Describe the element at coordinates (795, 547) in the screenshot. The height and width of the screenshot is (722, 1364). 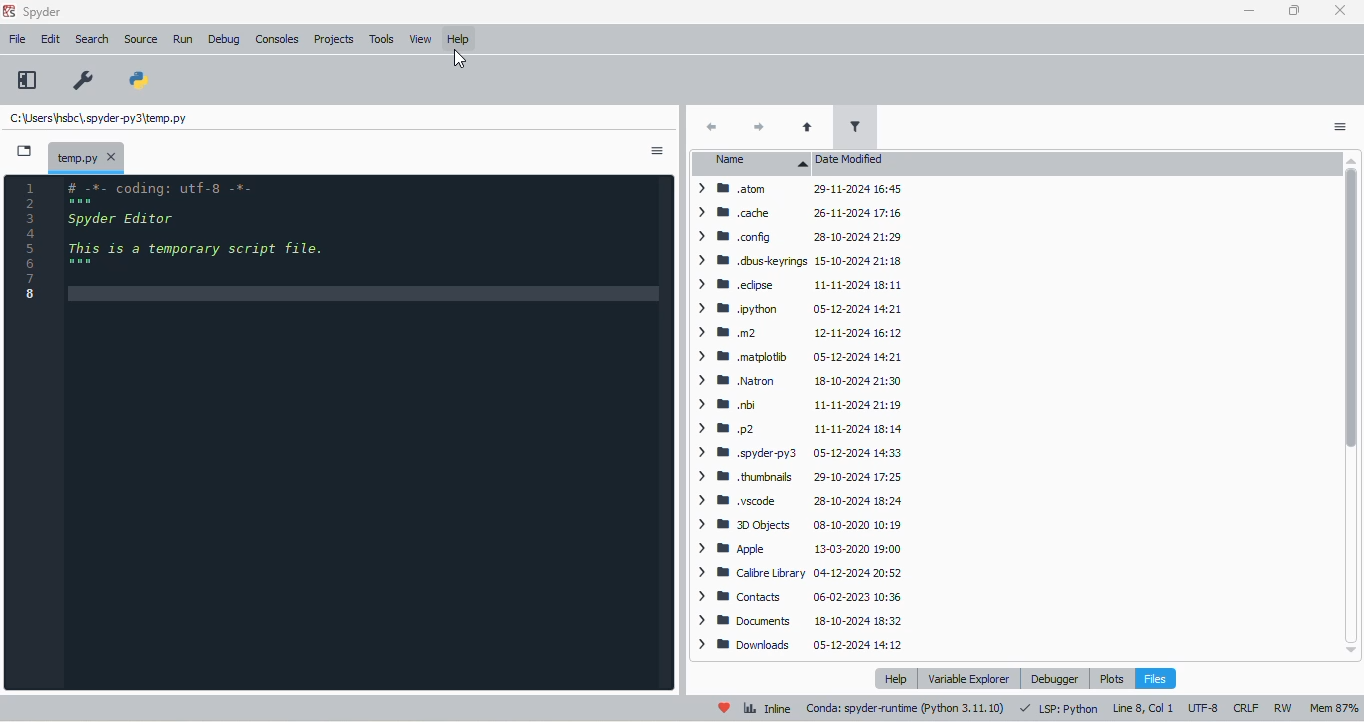
I see `> B Apple 13-03-2020 19:00` at that location.